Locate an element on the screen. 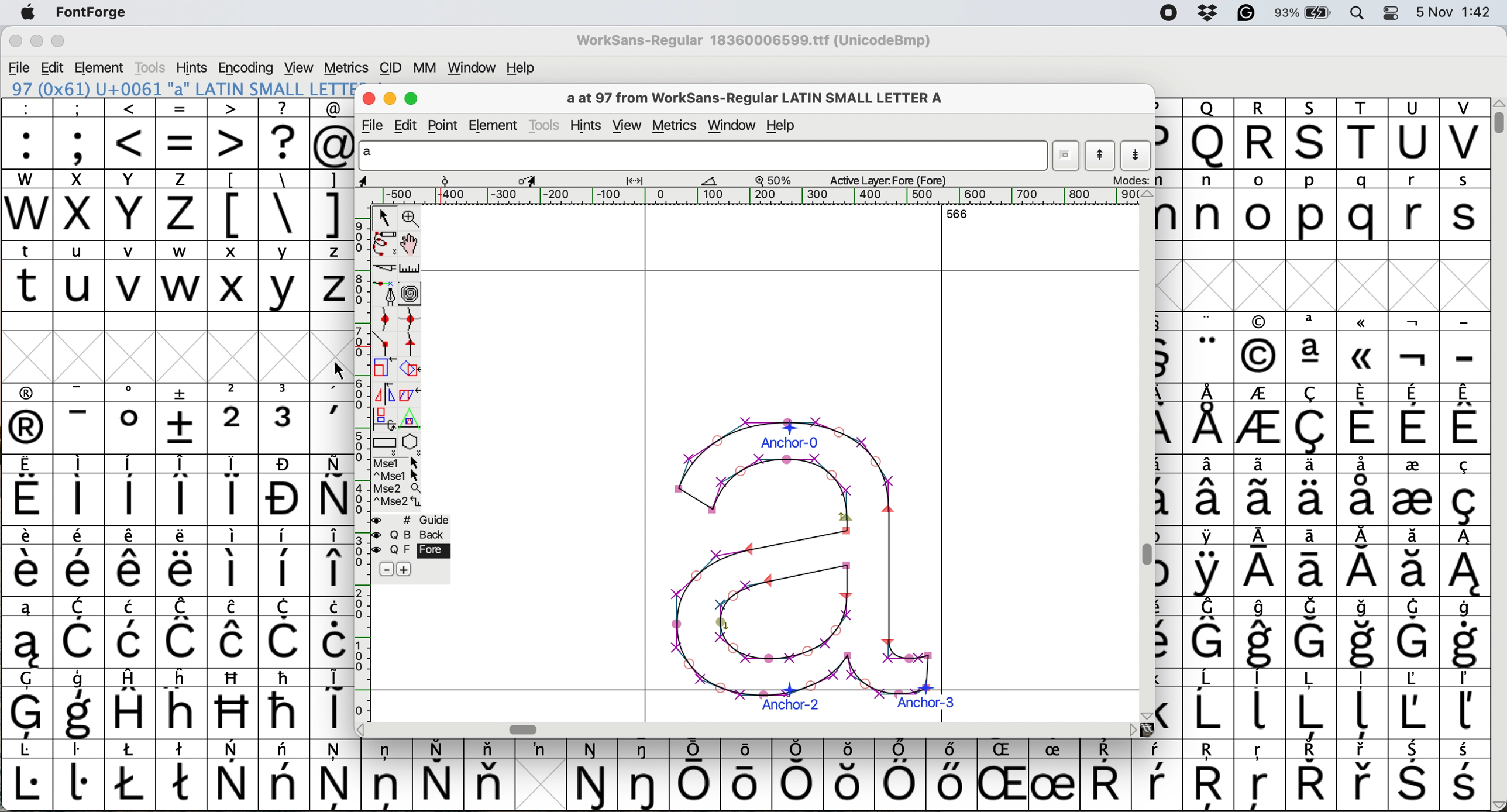  ? is located at coordinates (284, 133).